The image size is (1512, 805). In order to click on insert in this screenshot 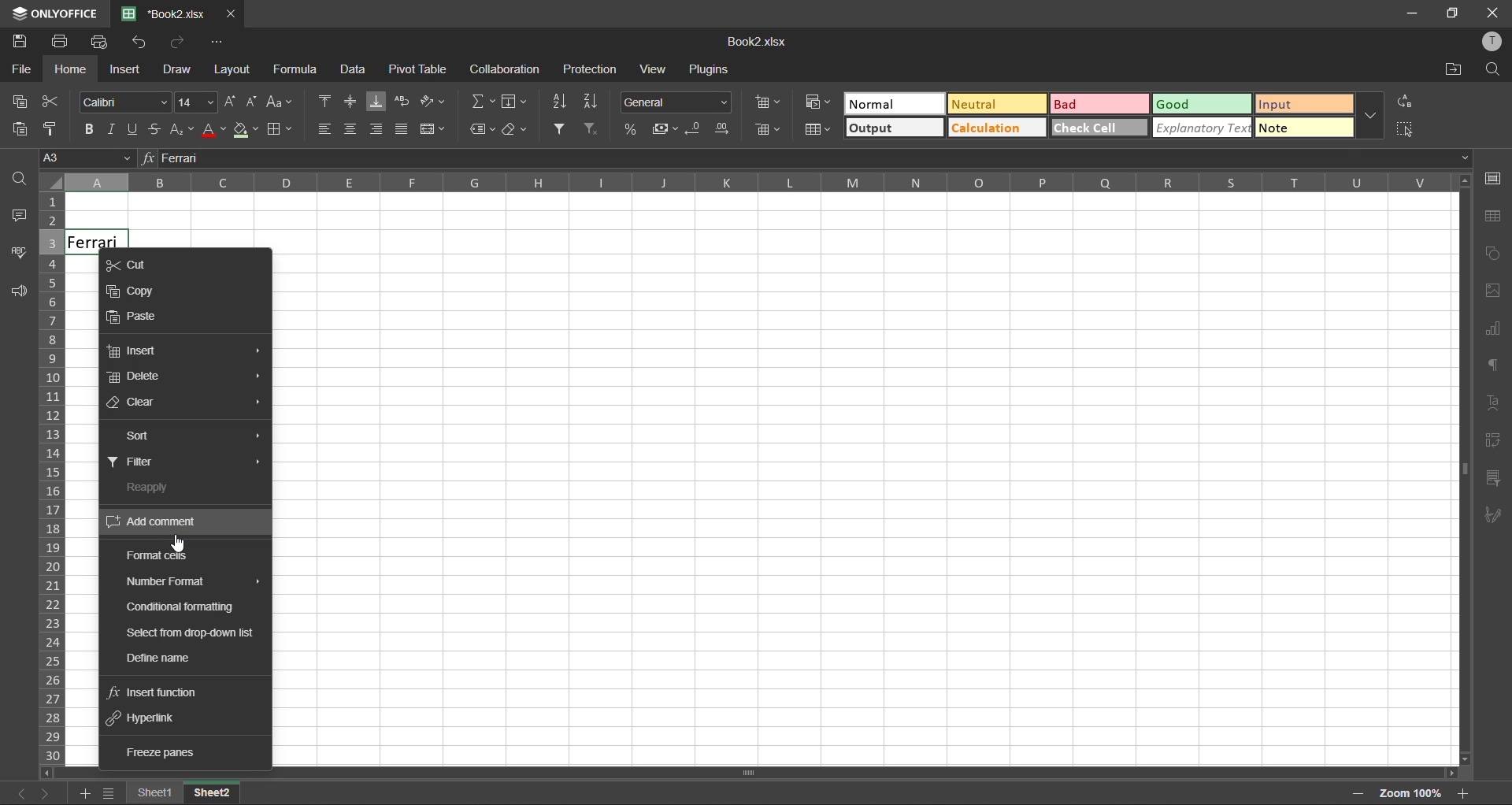, I will do `click(138, 351)`.